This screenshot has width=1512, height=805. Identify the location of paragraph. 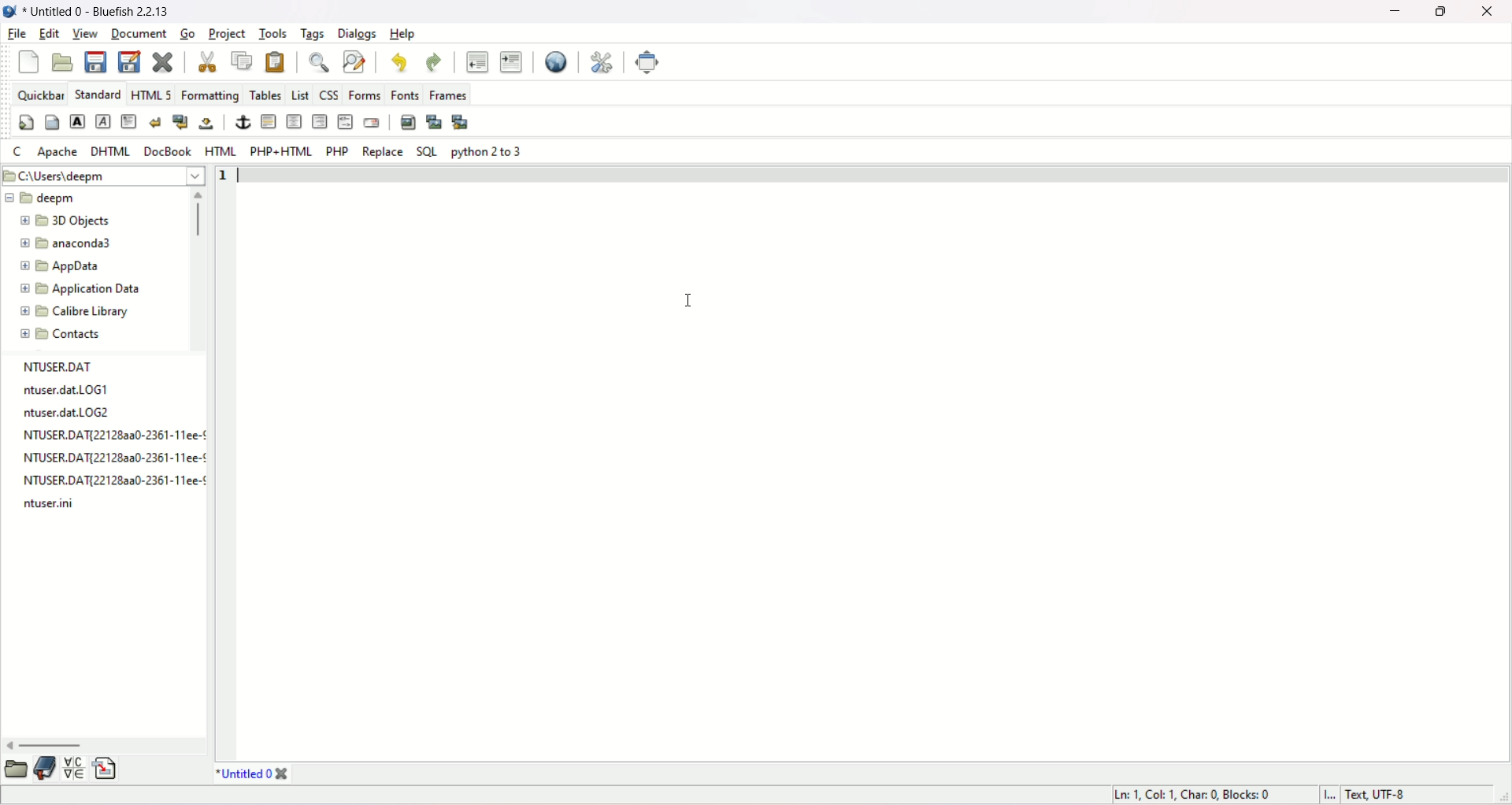
(128, 121).